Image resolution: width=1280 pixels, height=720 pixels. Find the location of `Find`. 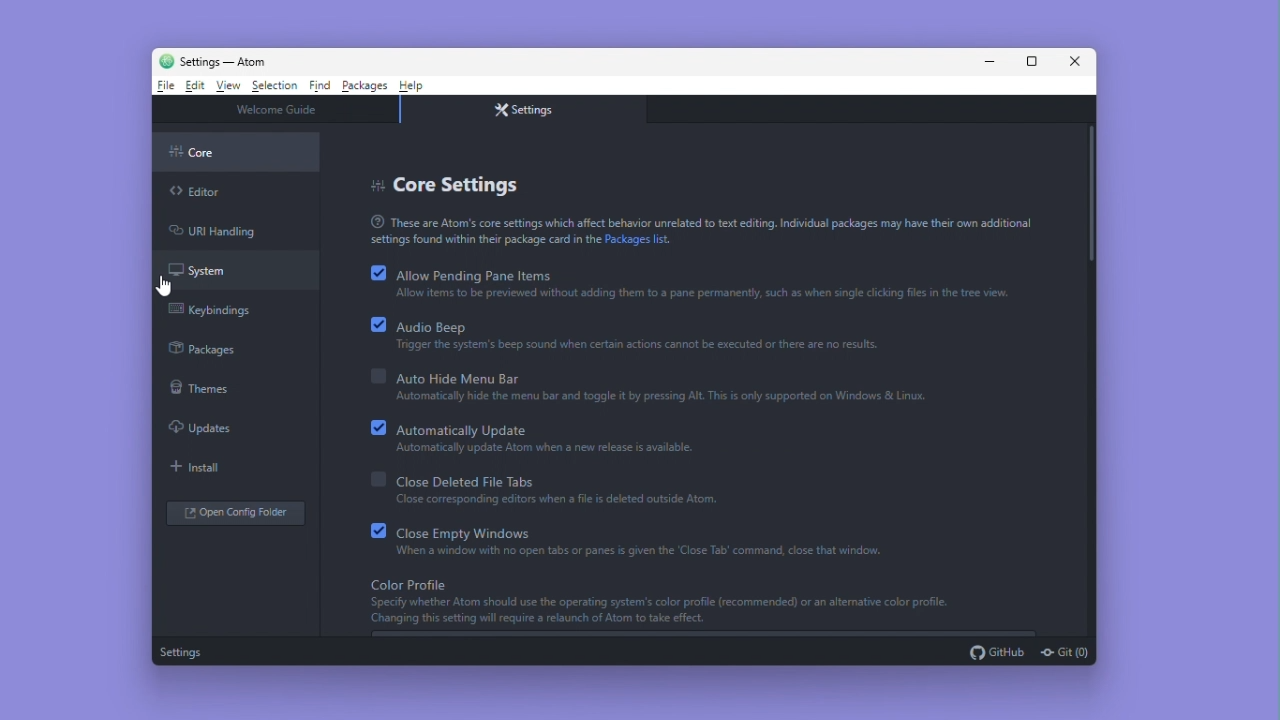

Find is located at coordinates (321, 84).